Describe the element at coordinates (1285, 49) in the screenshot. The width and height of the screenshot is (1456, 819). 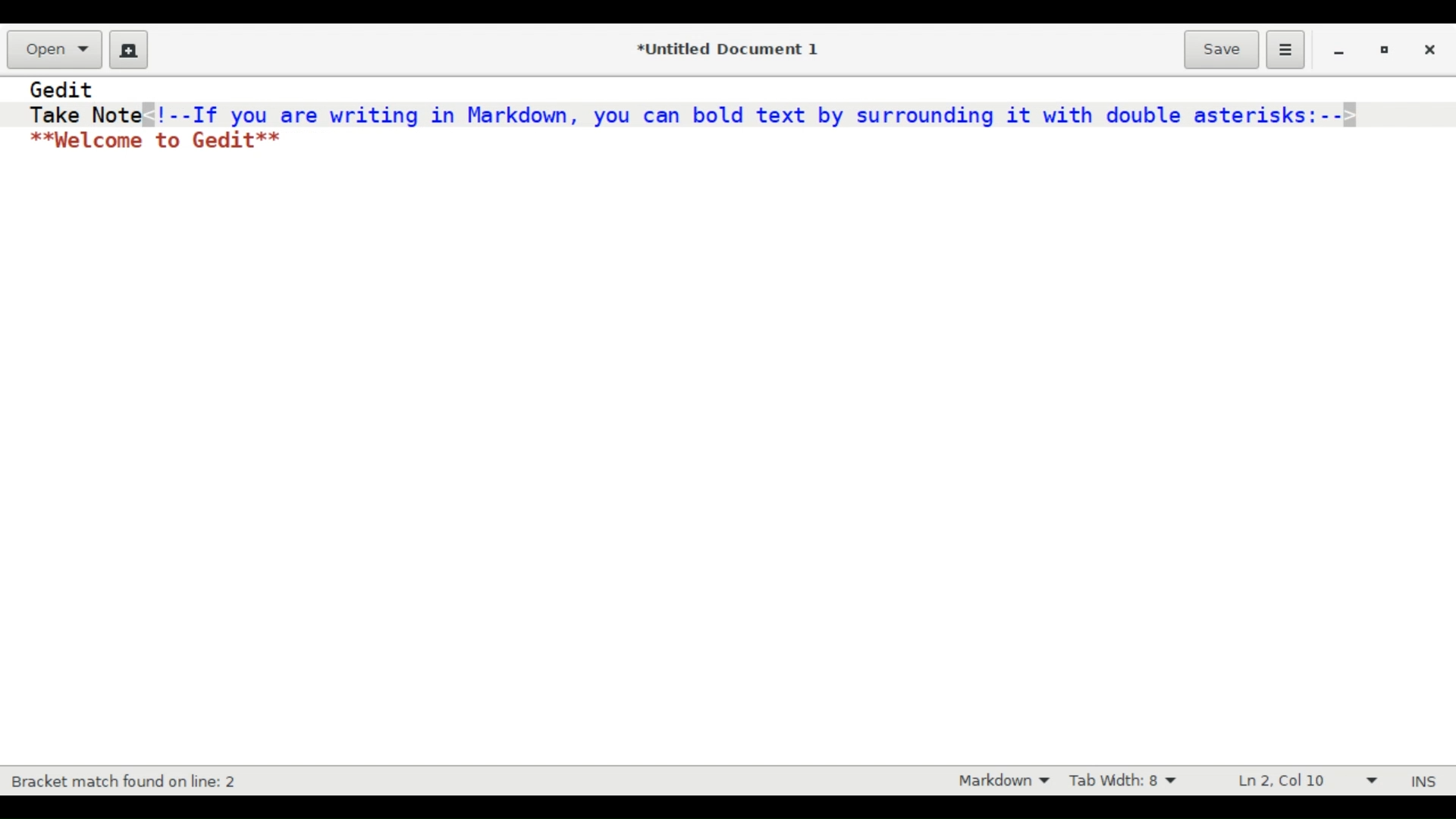
I see `Application menu` at that location.